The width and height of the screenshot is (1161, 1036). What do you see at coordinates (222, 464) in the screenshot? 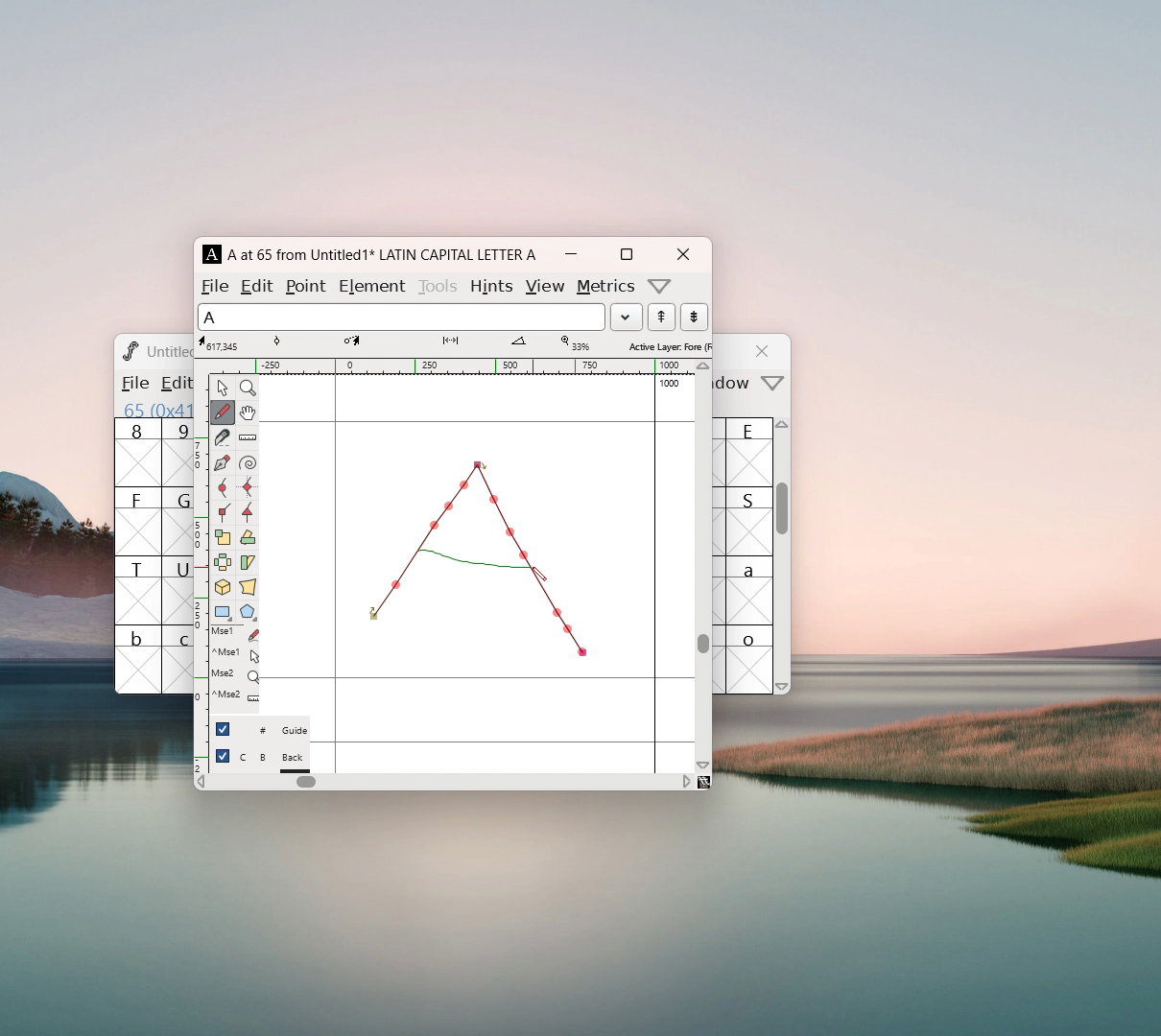
I see `add a point then drag out its conttrol points` at bounding box center [222, 464].